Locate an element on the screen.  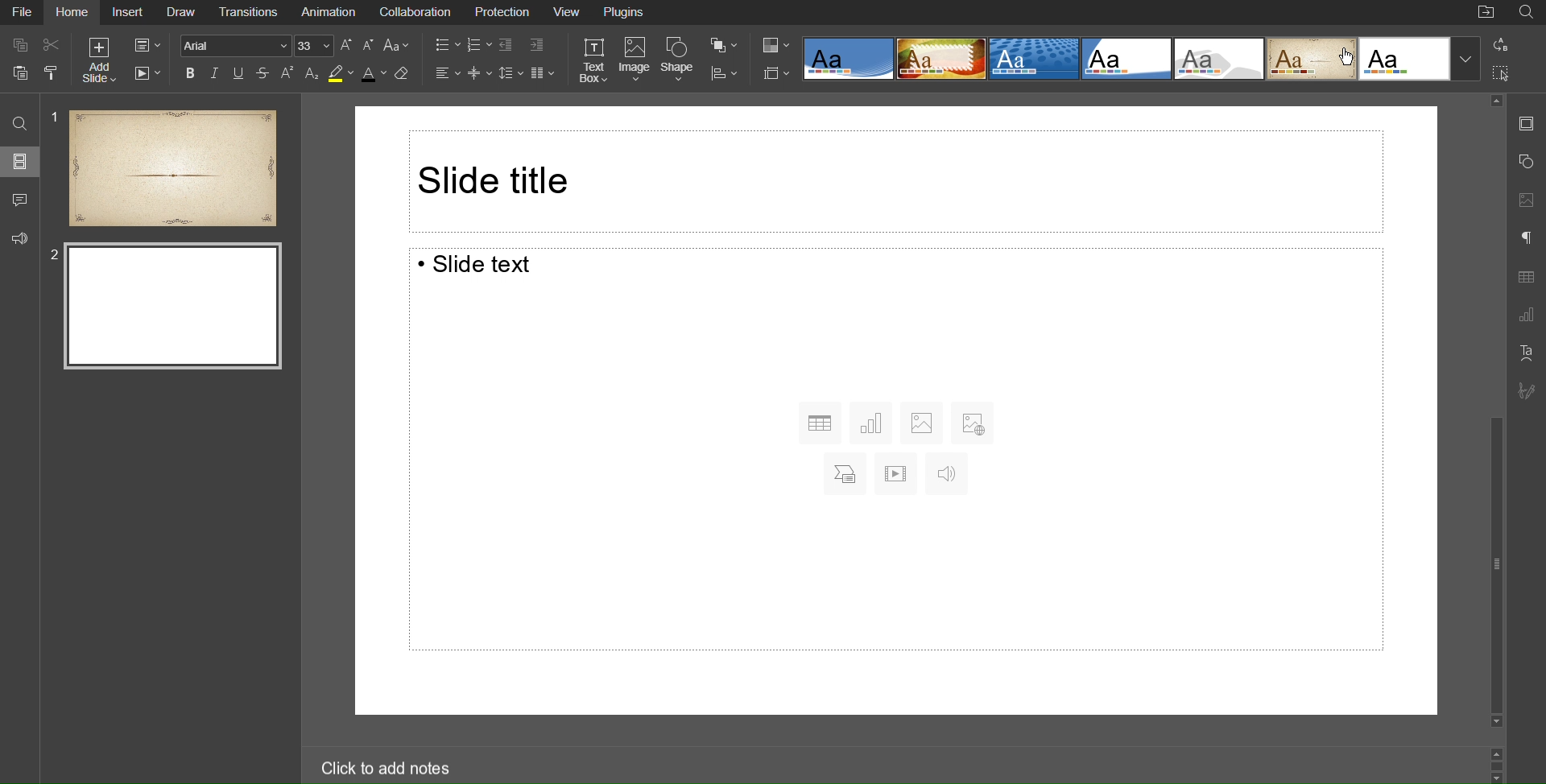
Superscript is located at coordinates (288, 74).